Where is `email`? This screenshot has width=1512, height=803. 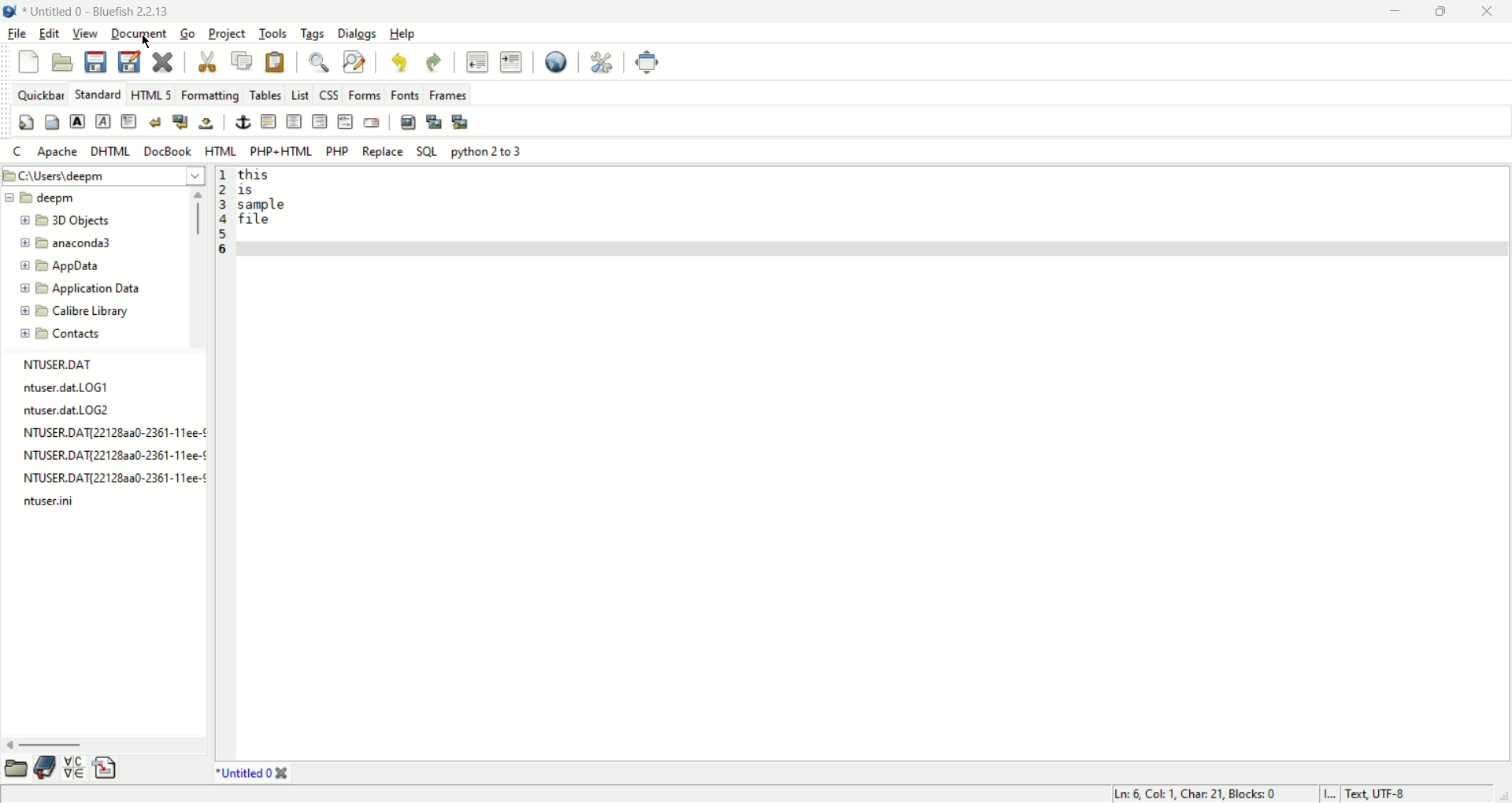
email is located at coordinates (374, 122).